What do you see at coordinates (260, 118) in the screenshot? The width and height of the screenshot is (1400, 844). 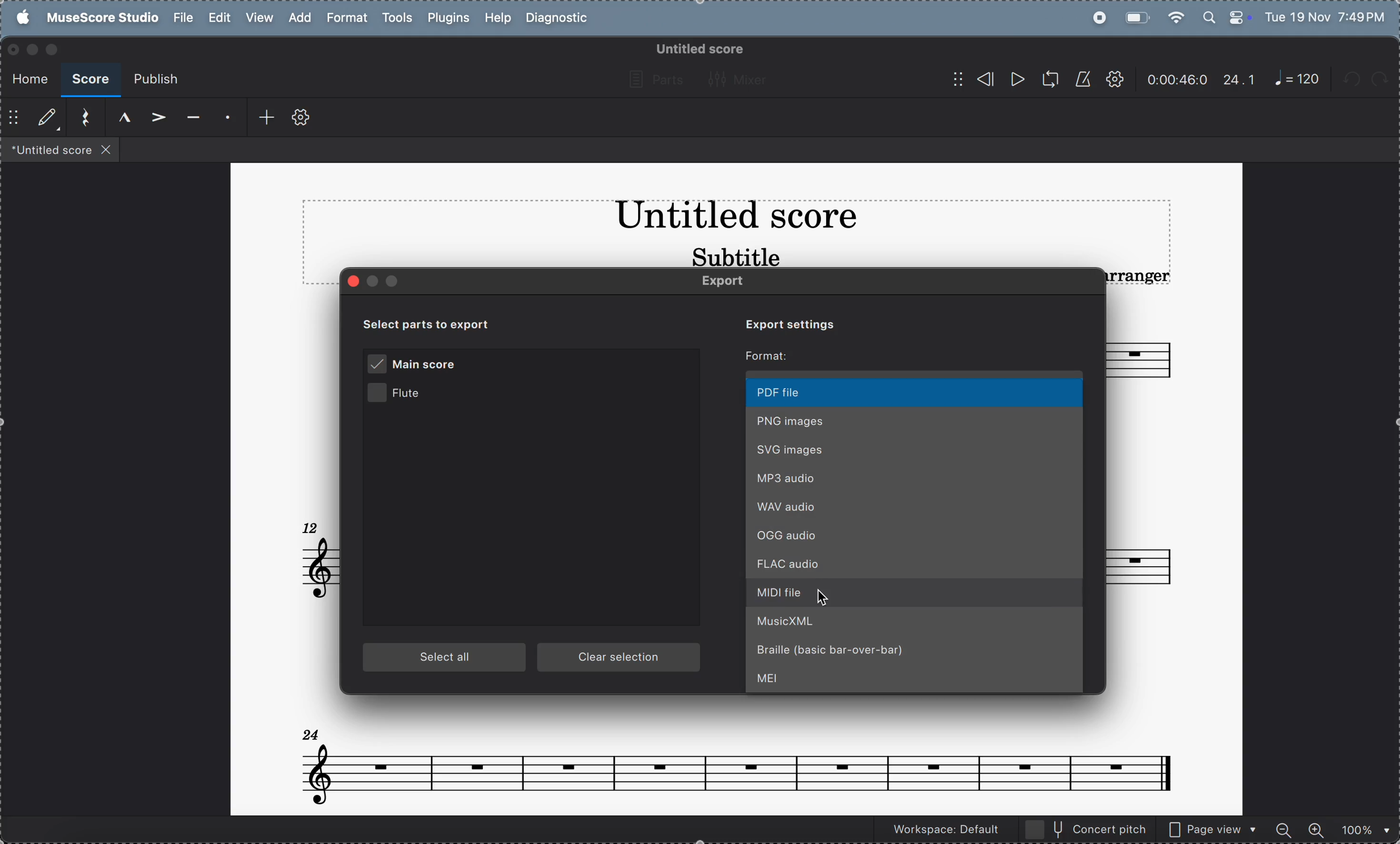 I see `add` at bounding box center [260, 118].